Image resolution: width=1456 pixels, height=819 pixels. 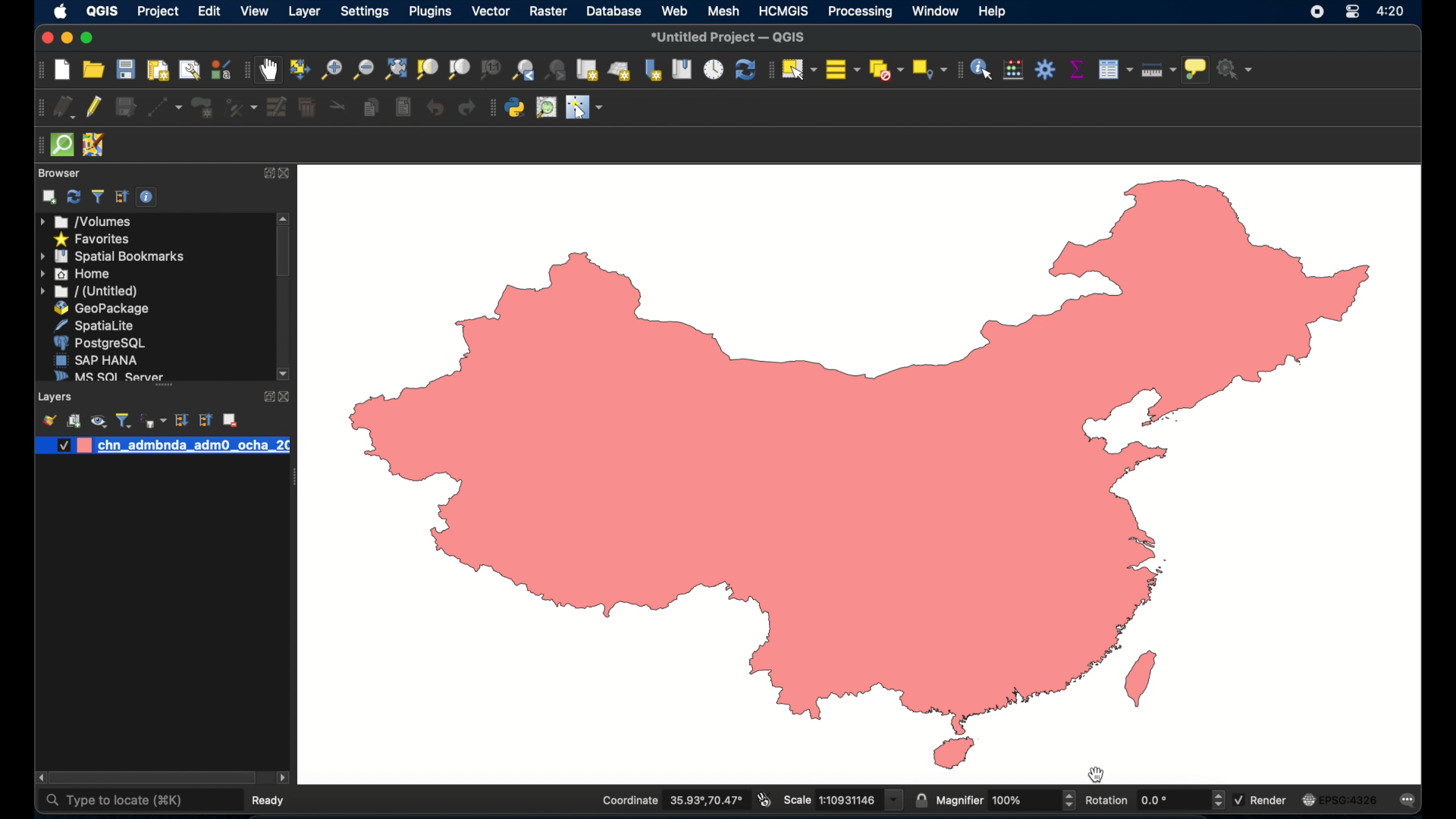 What do you see at coordinates (338, 107) in the screenshot?
I see `cut features` at bounding box center [338, 107].